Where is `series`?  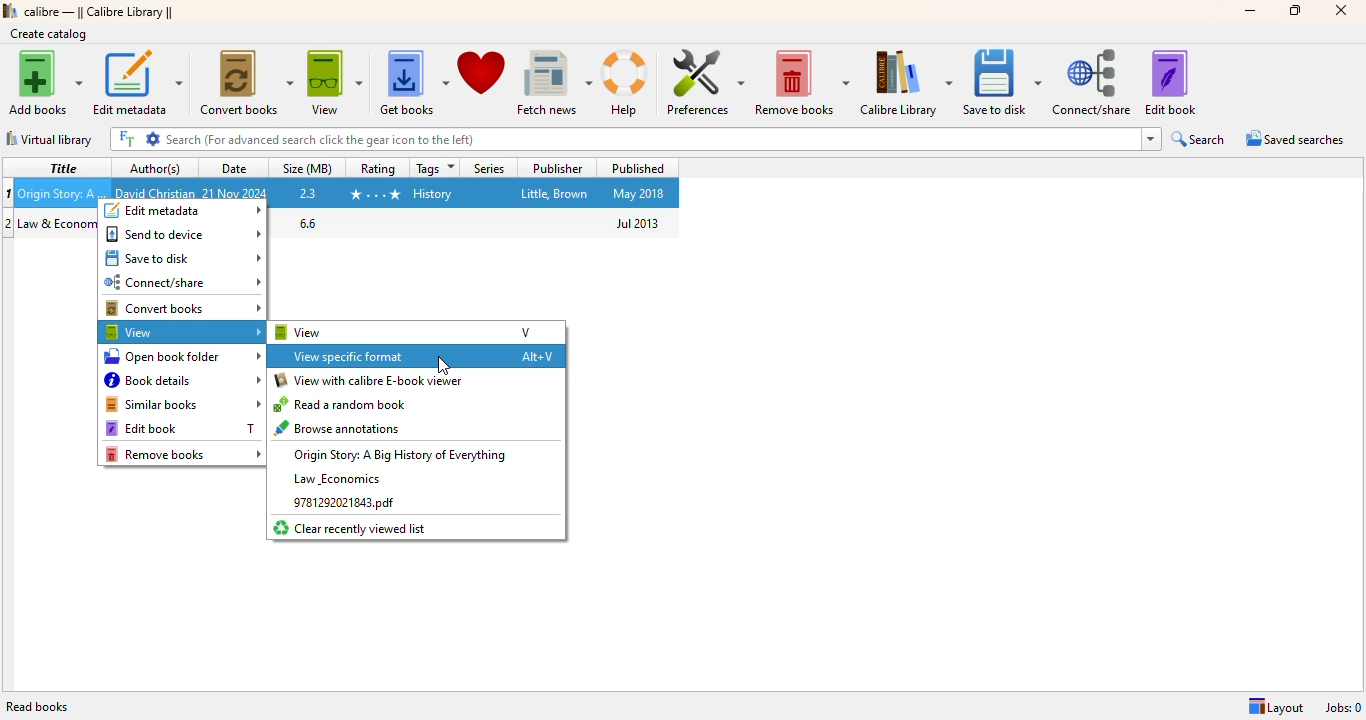
series is located at coordinates (487, 168).